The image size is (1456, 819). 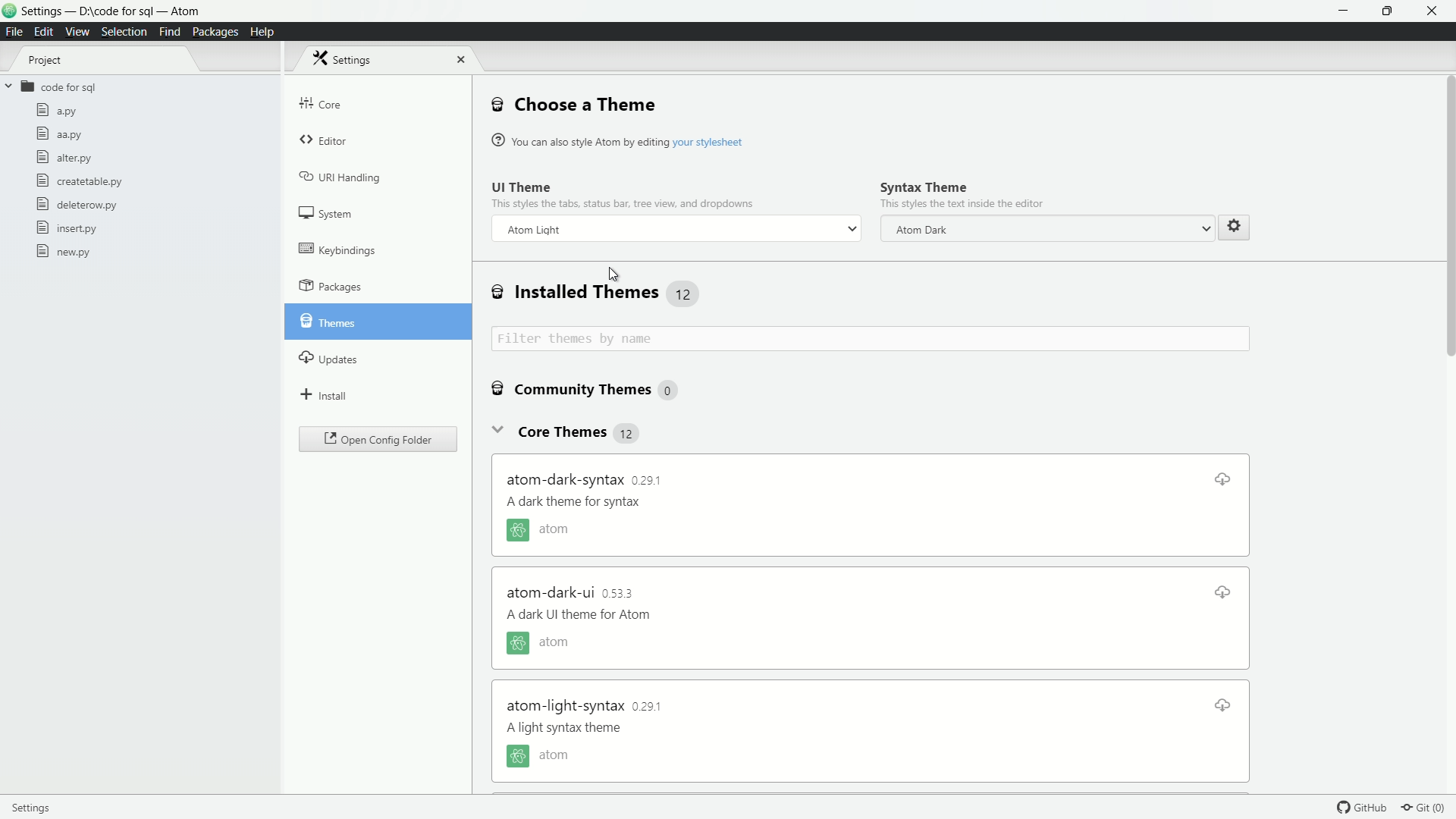 I want to click on atom dark syntax, so click(x=590, y=478).